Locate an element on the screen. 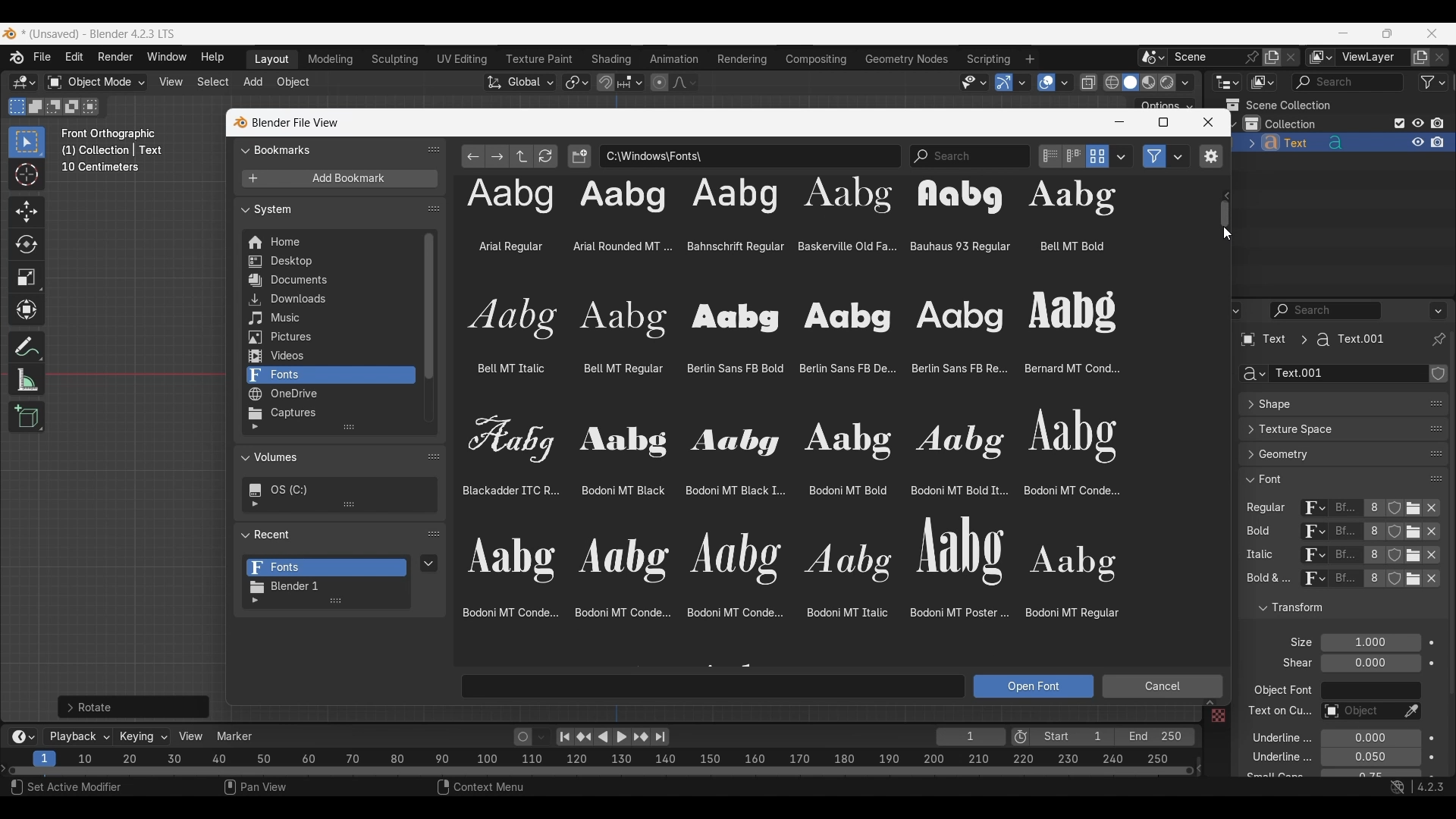   is located at coordinates (1311, 557).